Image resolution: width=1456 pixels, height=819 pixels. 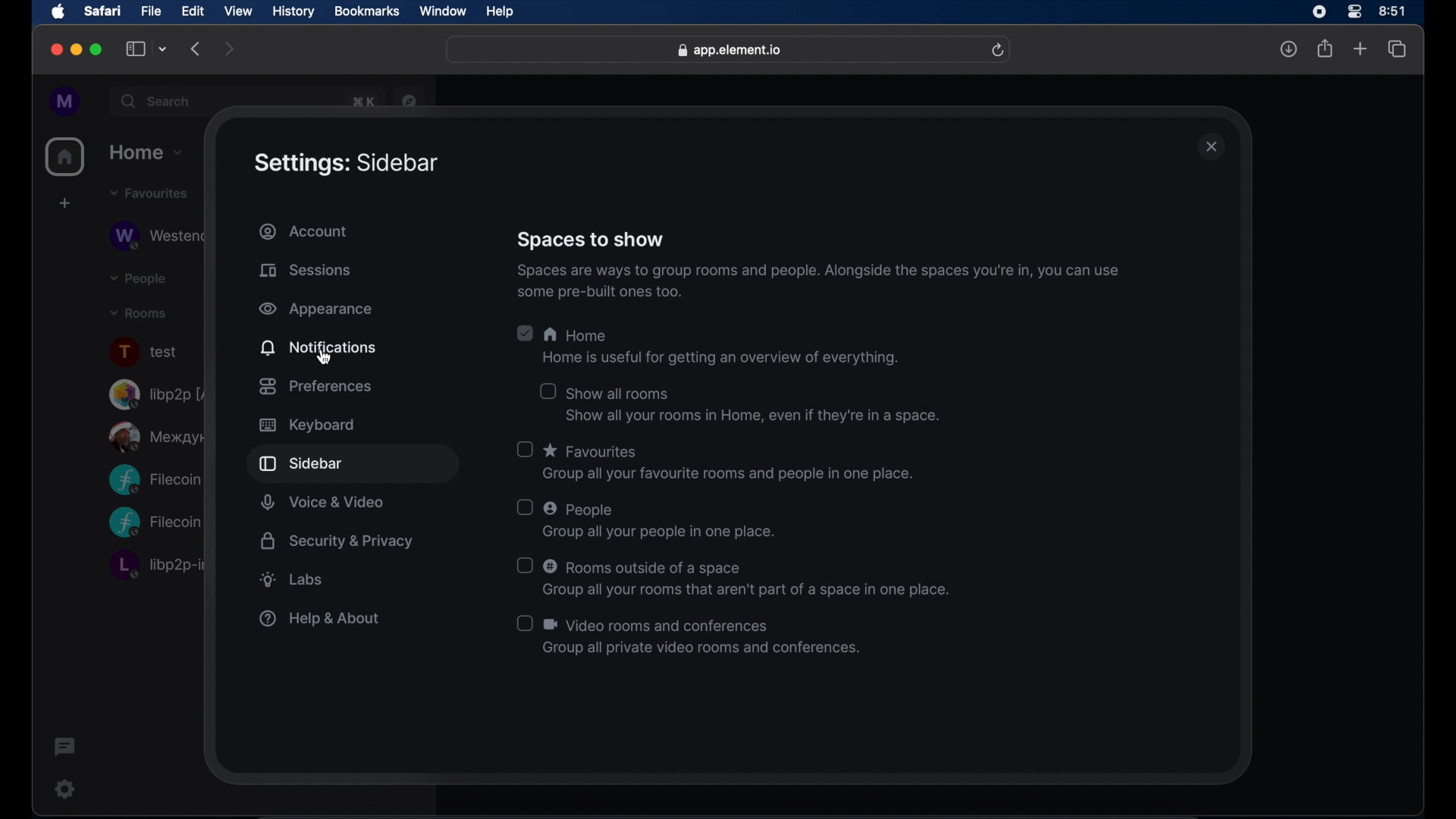 What do you see at coordinates (307, 231) in the screenshot?
I see `account` at bounding box center [307, 231].